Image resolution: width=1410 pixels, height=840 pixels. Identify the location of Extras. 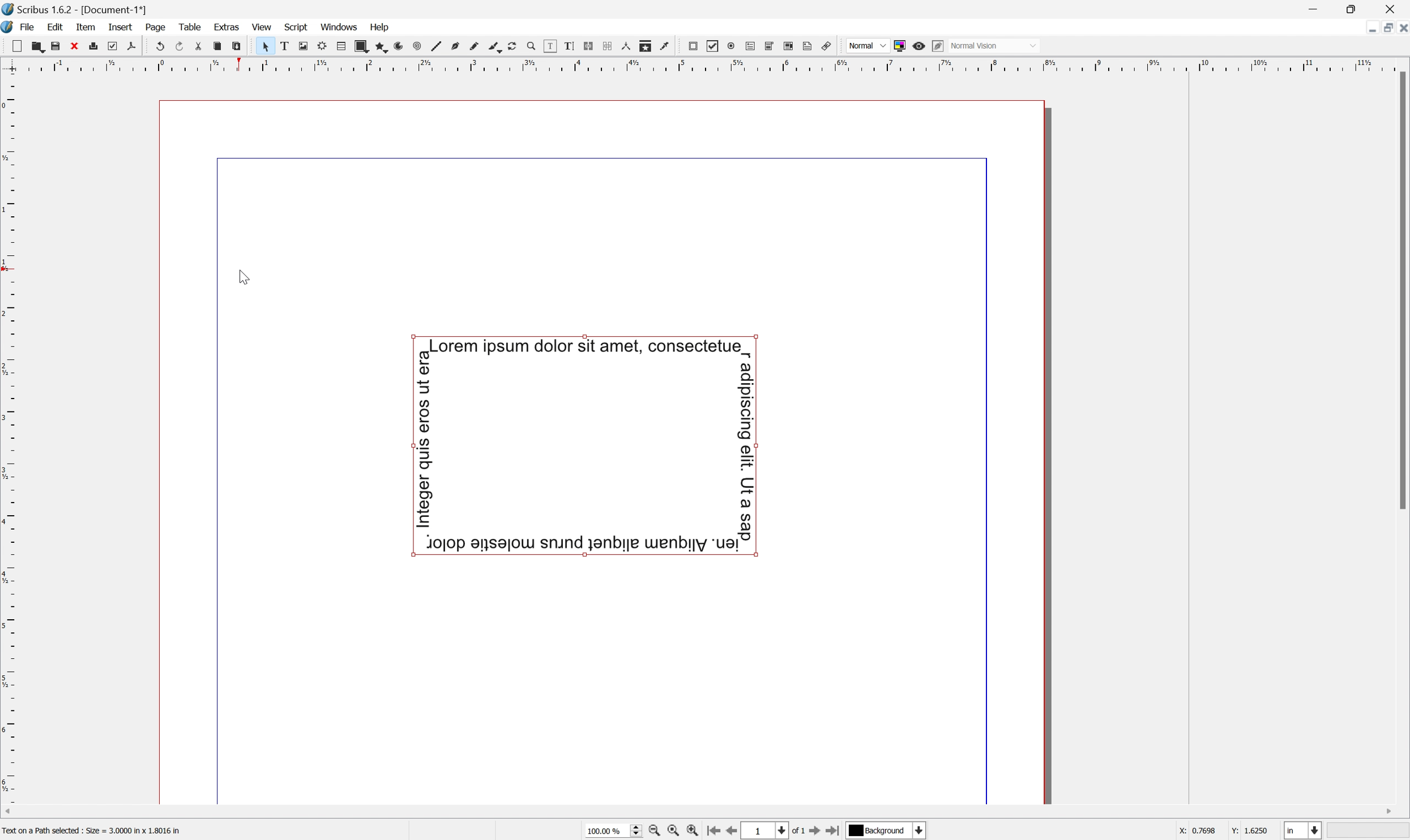
(227, 28).